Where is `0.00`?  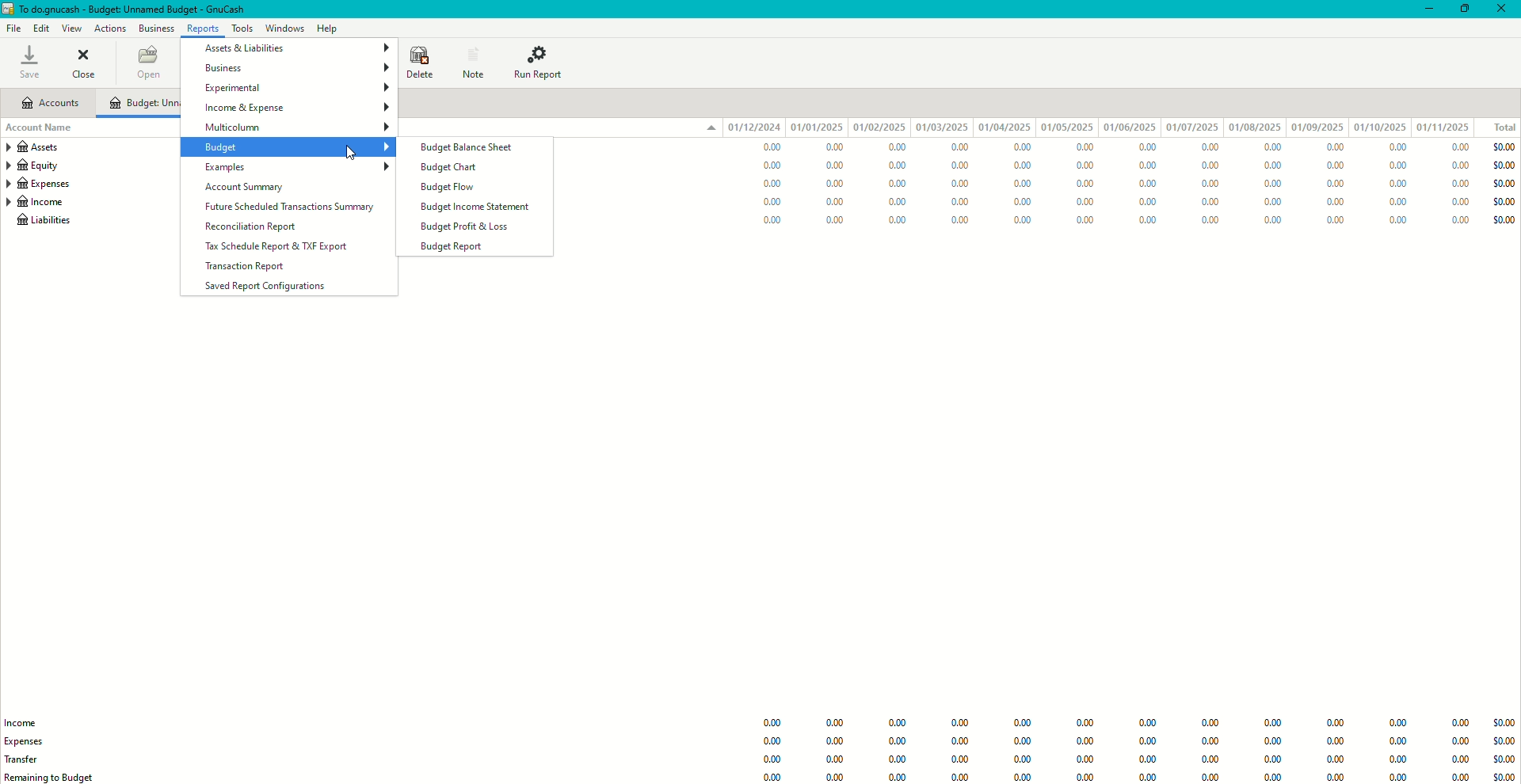
0.00 is located at coordinates (1149, 776).